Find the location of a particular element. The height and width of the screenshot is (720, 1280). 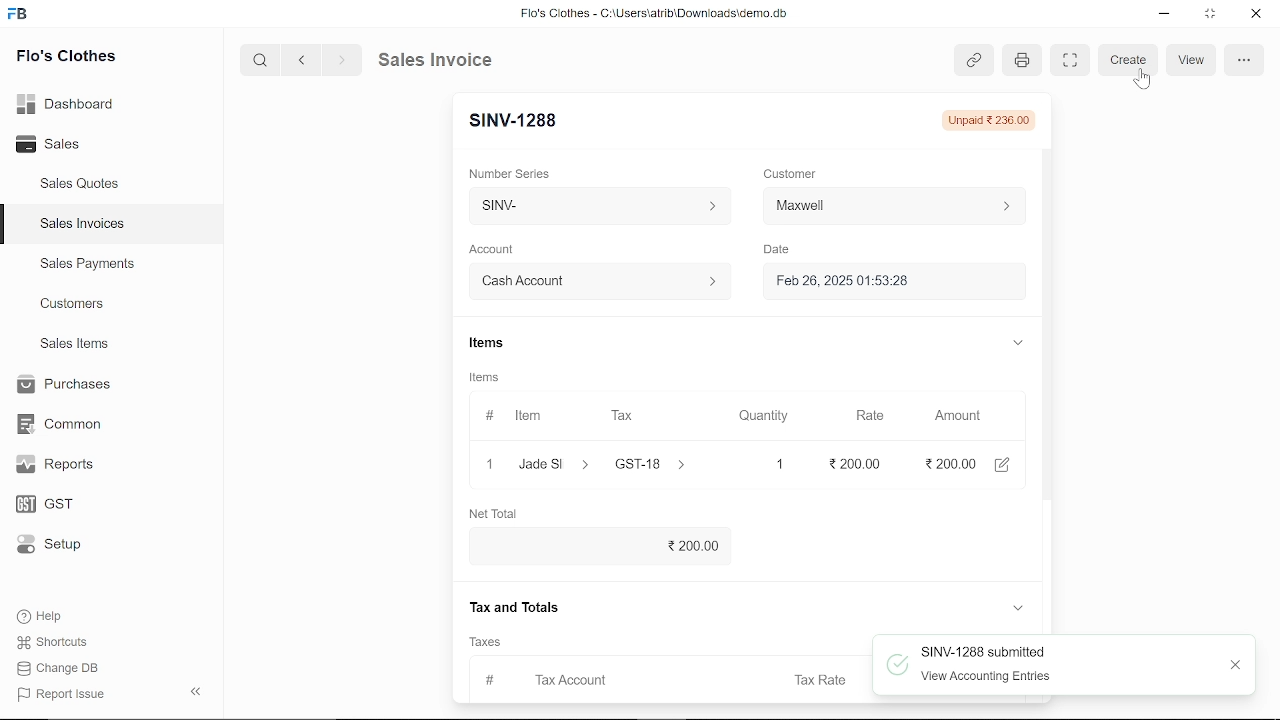

link is located at coordinates (973, 61).